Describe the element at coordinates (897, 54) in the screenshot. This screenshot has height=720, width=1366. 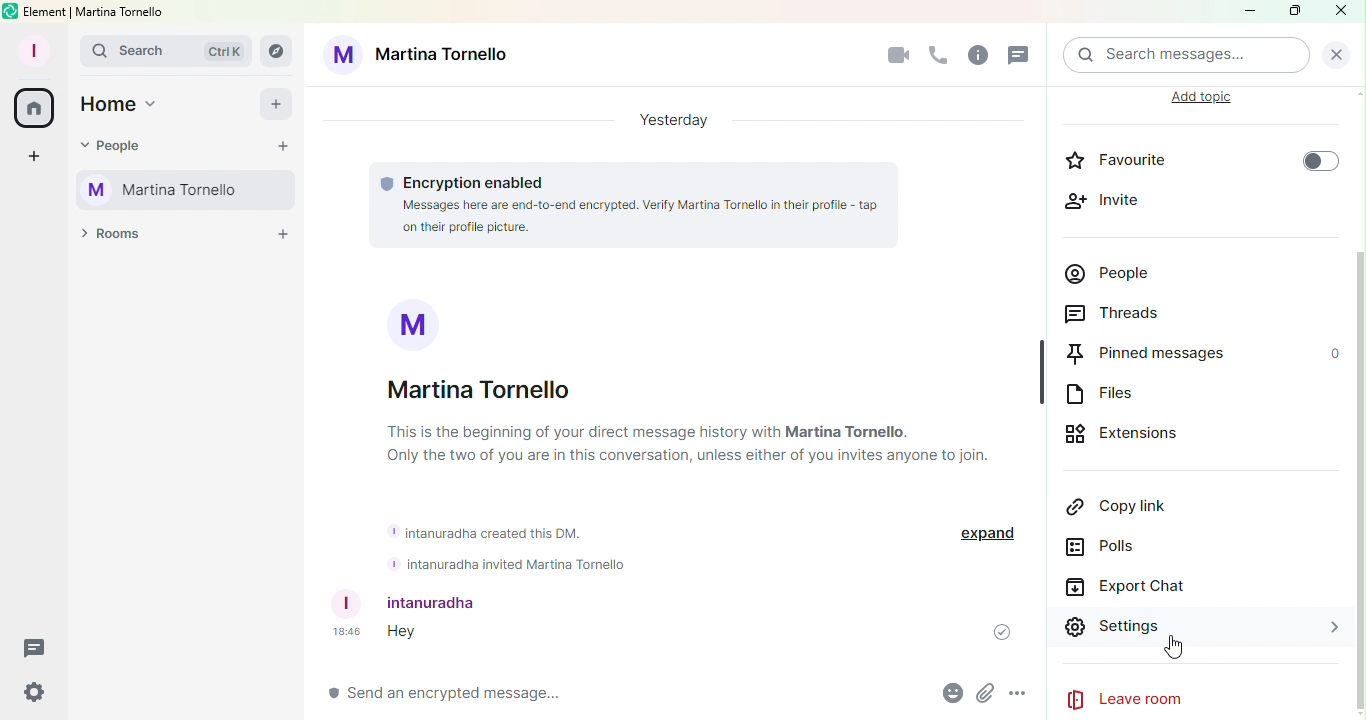
I see `Video Call` at that location.